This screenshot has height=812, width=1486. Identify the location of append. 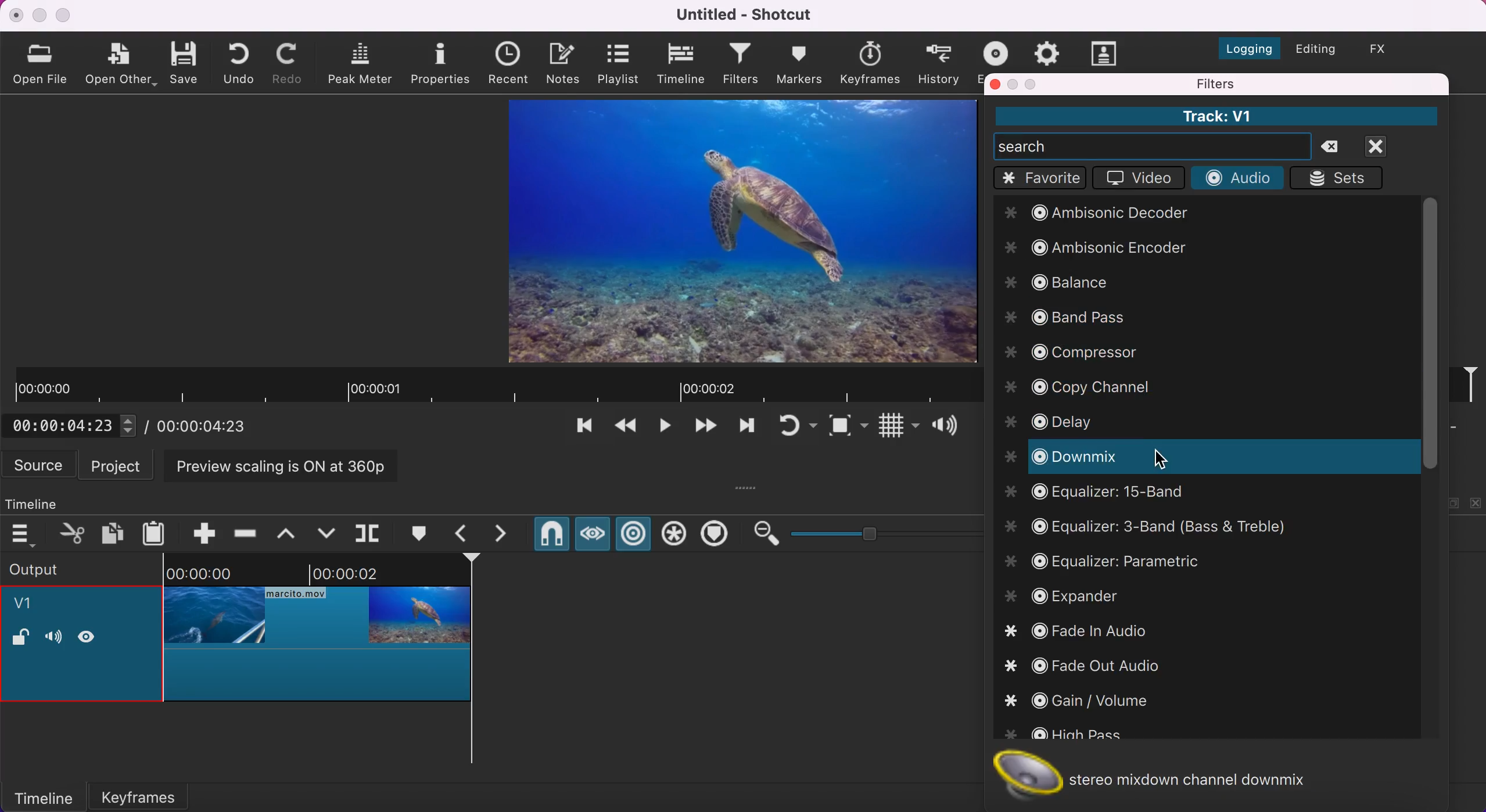
(196, 531).